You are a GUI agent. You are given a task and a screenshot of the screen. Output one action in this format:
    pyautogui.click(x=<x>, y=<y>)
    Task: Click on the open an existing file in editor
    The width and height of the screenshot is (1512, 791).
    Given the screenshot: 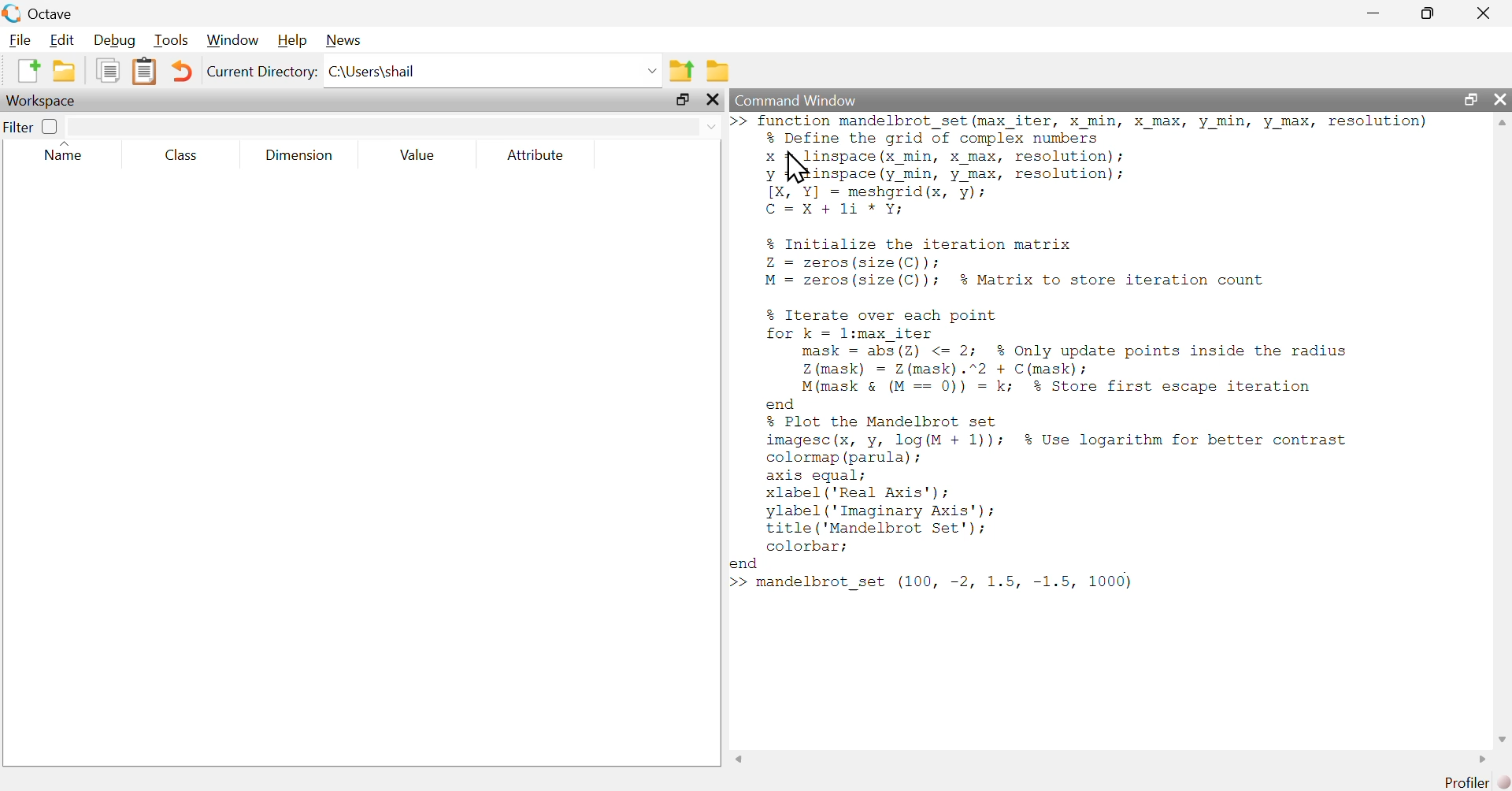 What is the action you would take?
    pyautogui.click(x=64, y=72)
    